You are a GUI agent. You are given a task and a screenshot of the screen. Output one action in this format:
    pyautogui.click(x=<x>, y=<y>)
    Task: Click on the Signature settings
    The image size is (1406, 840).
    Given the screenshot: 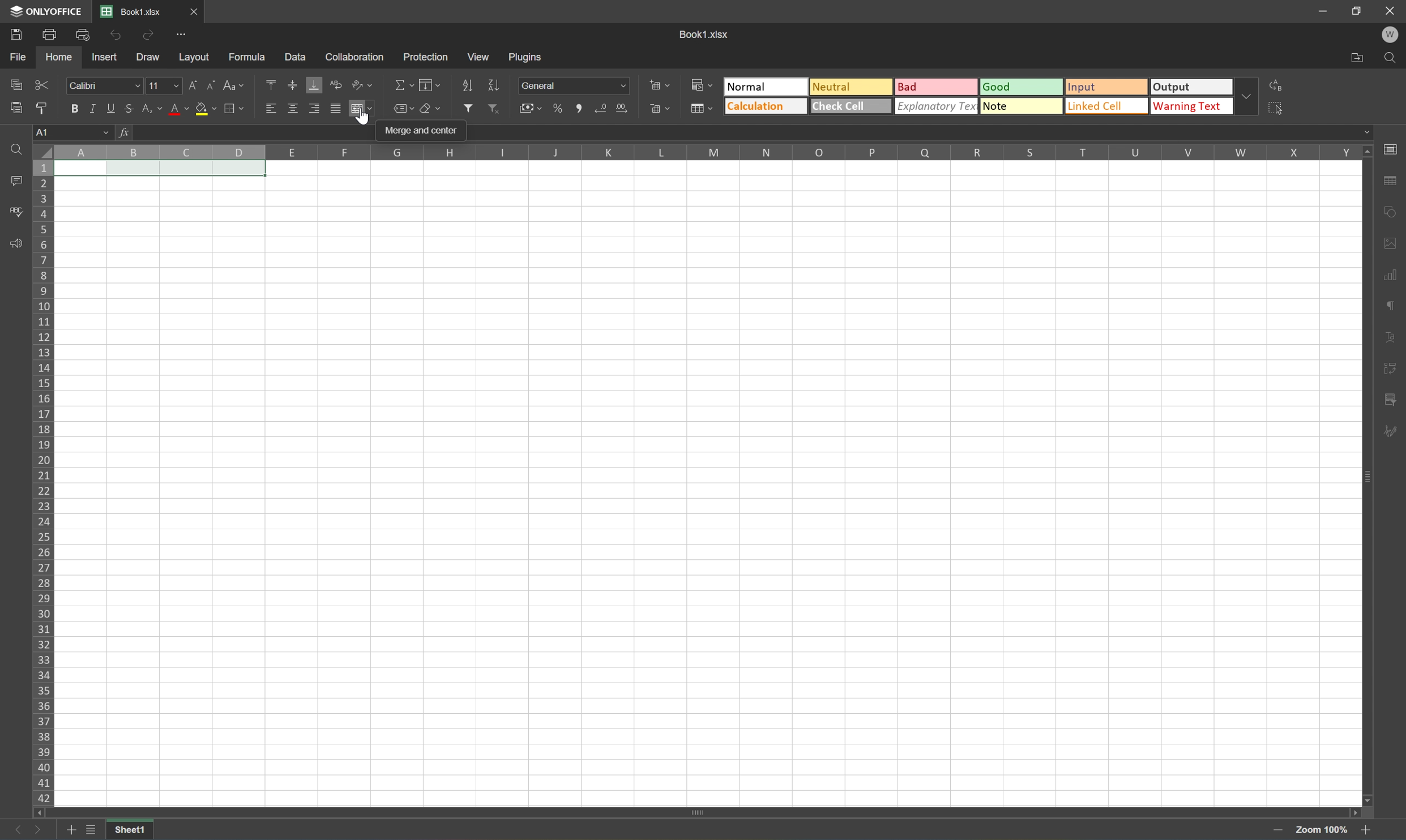 What is the action you would take?
    pyautogui.click(x=1390, y=436)
    